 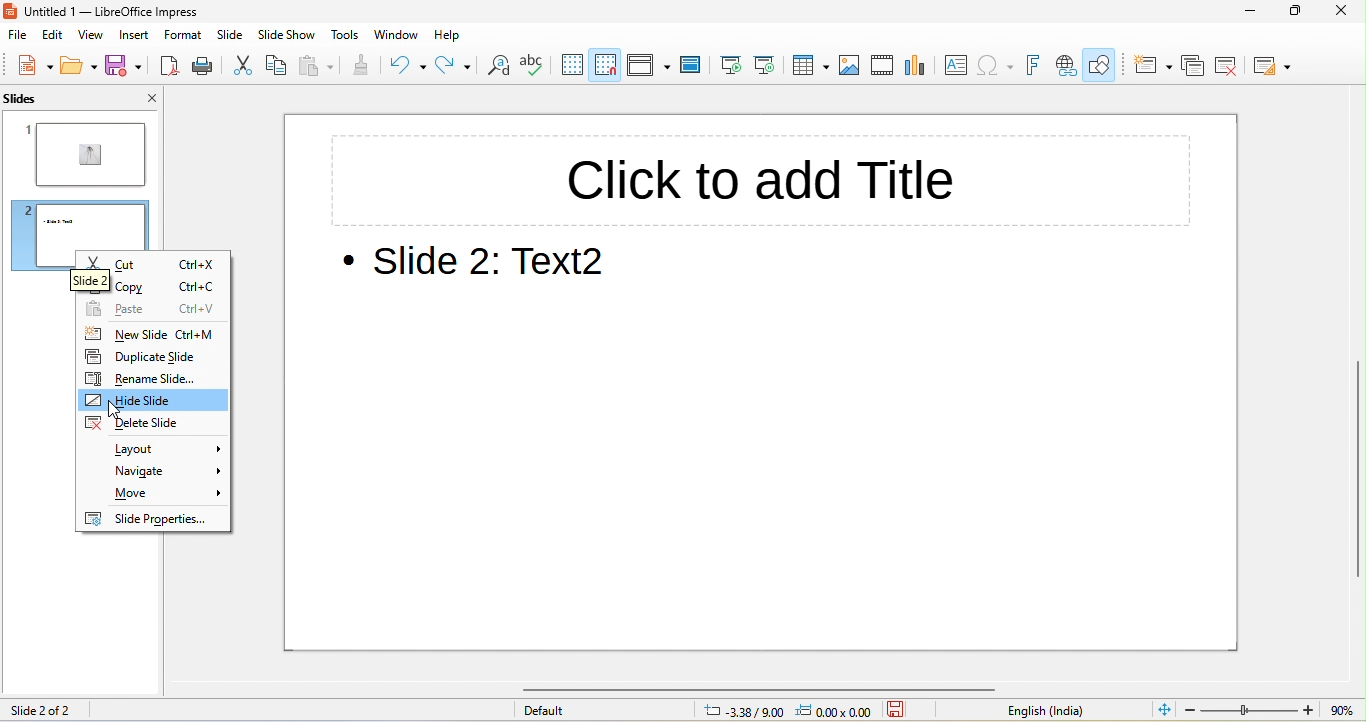 I want to click on duplicate slide, so click(x=151, y=358).